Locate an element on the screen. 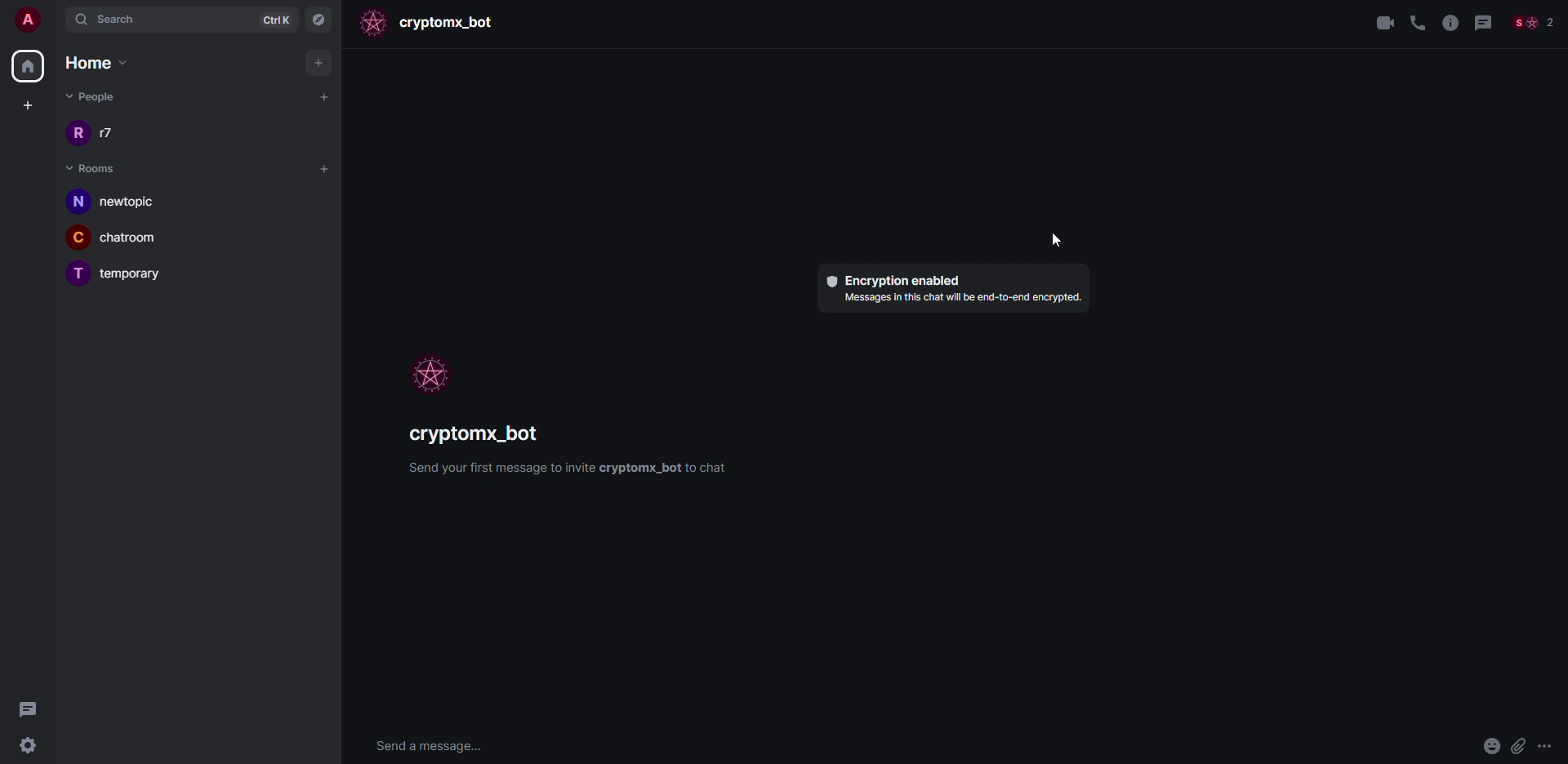  threads is located at coordinates (1482, 23).